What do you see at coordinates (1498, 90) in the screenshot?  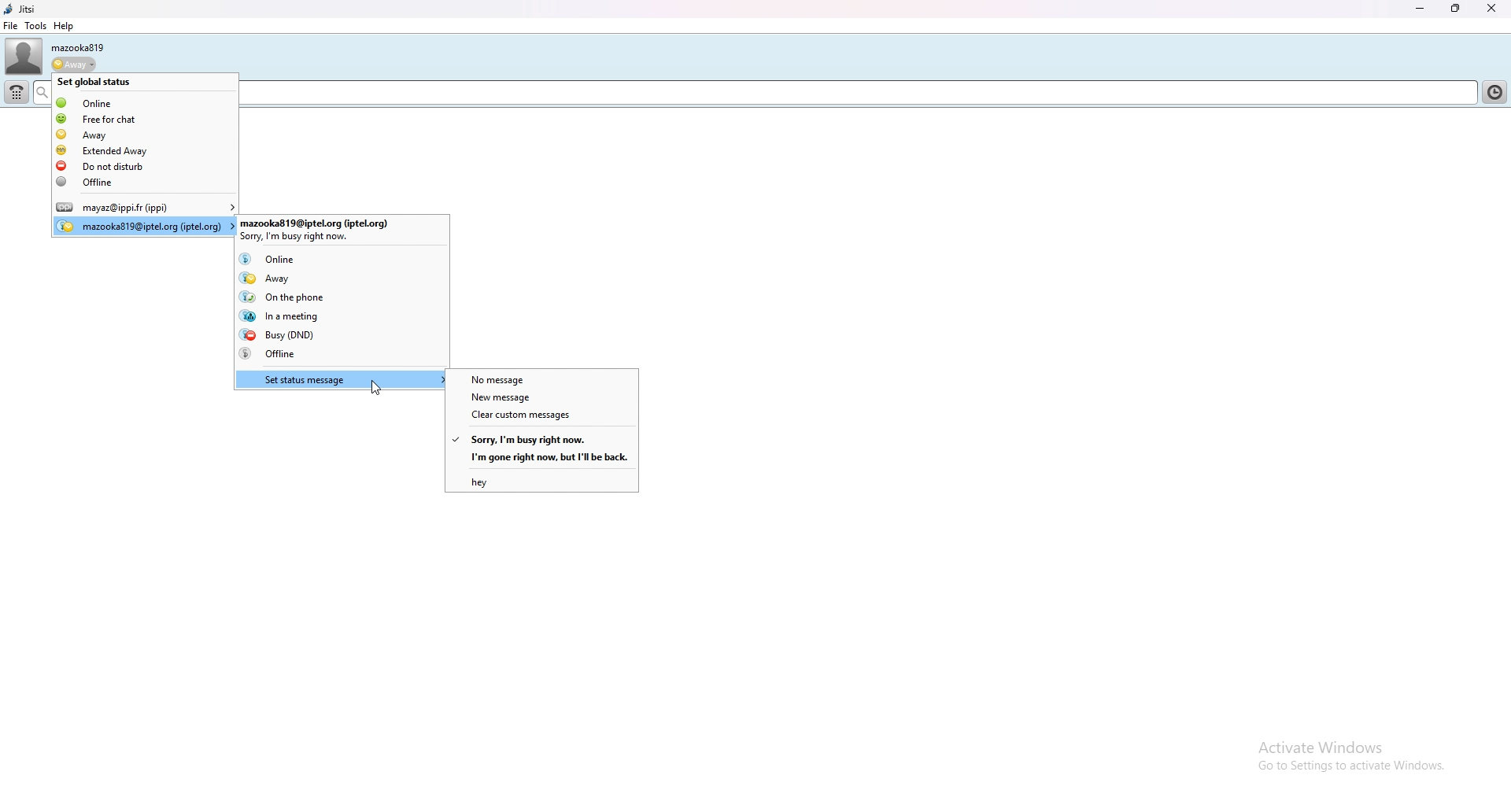 I see `contact list` at bounding box center [1498, 90].